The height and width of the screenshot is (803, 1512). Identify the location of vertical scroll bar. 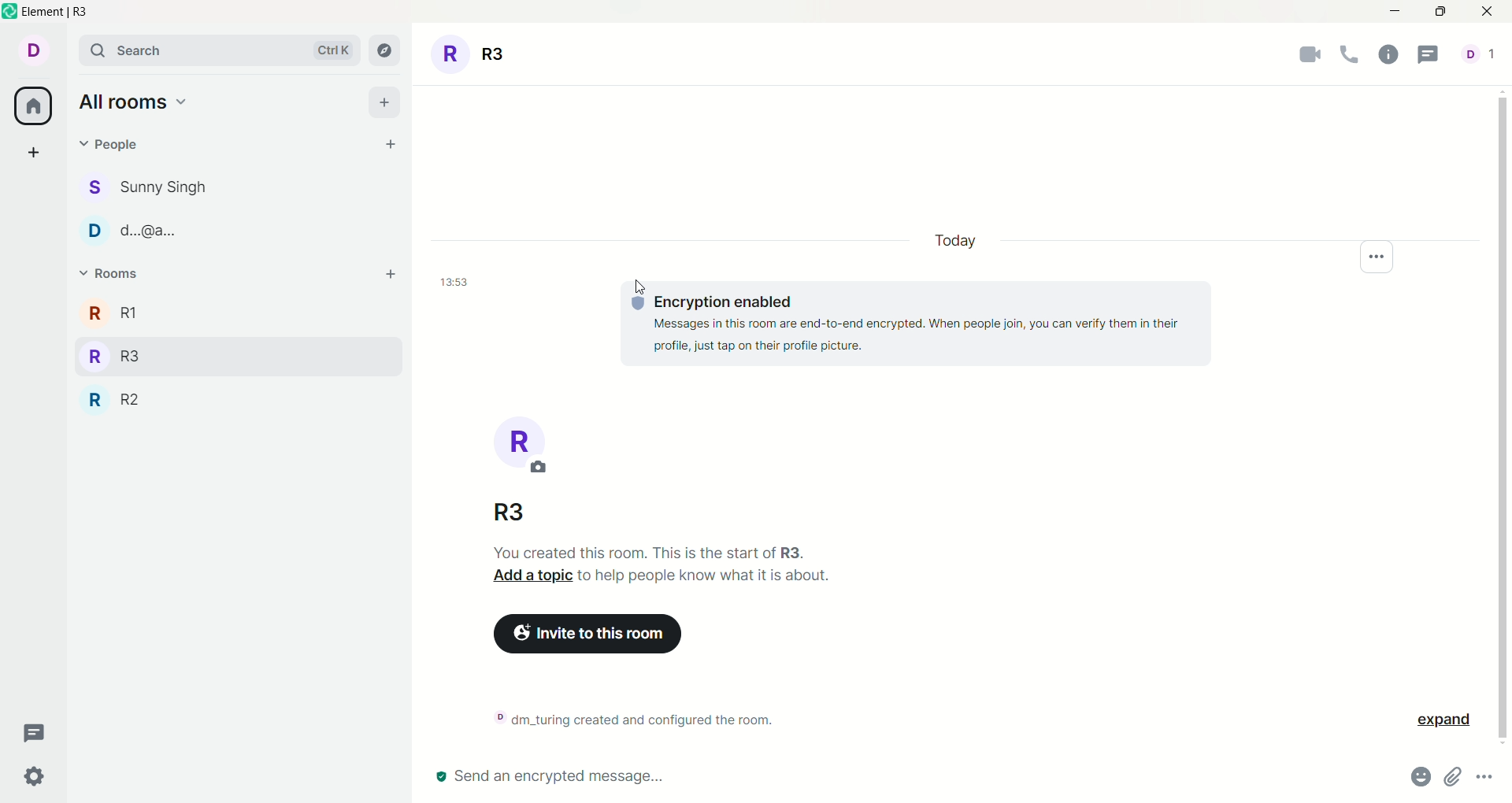
(1503, 416).